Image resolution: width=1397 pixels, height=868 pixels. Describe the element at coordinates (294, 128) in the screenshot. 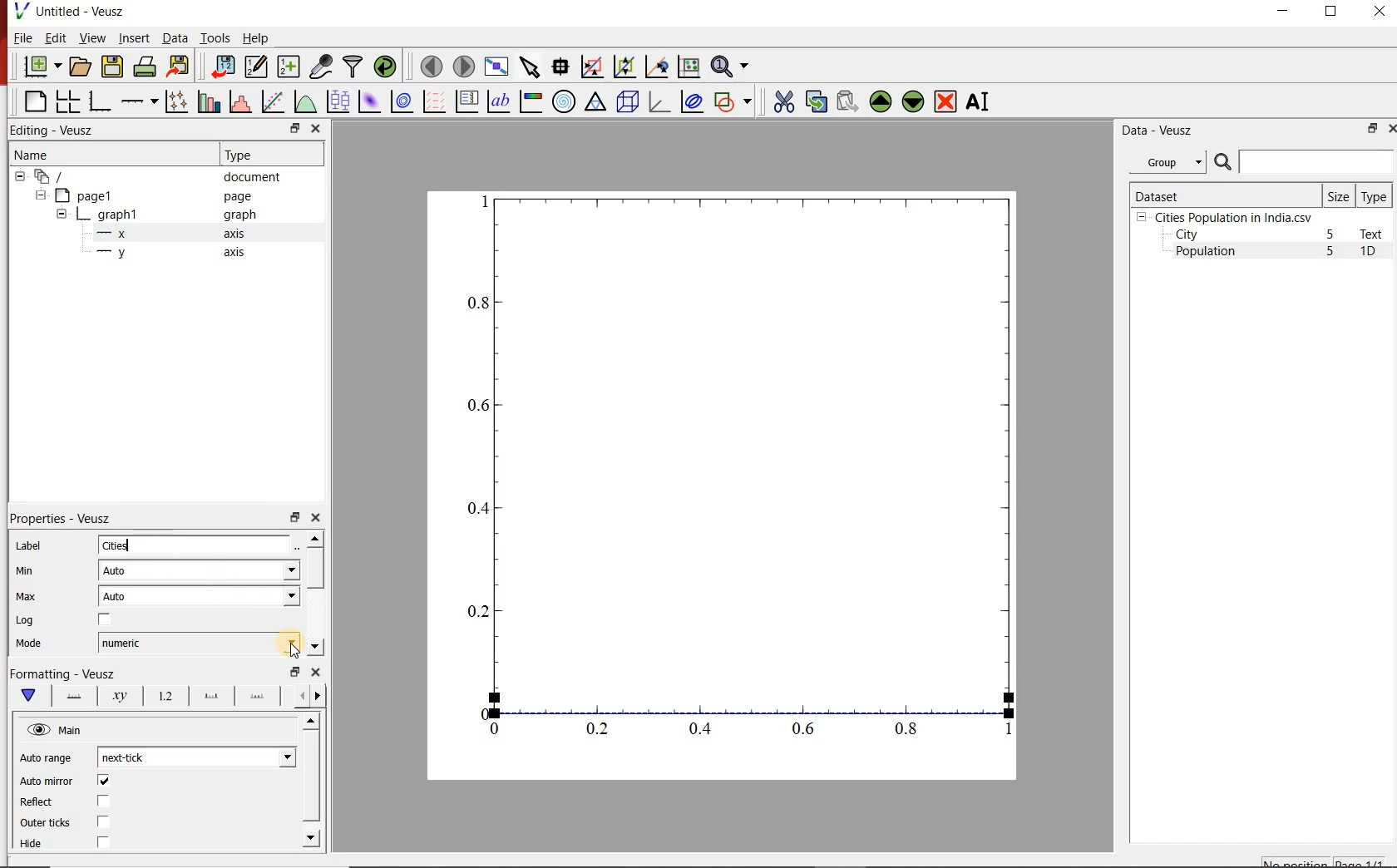

I see `restore` at that location.